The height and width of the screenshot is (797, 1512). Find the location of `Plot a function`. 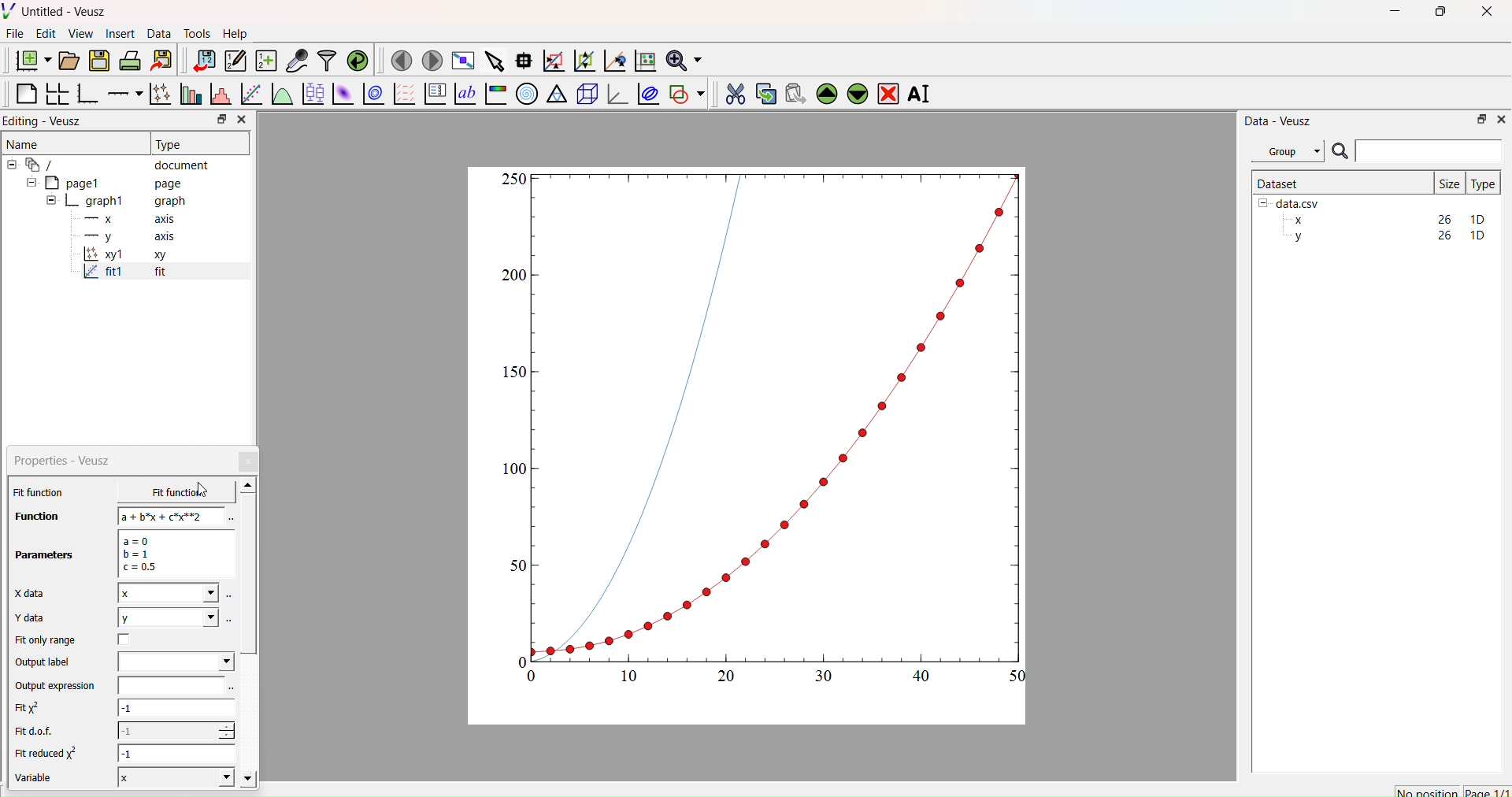

Plot a function is located at coordinates (281, 95).